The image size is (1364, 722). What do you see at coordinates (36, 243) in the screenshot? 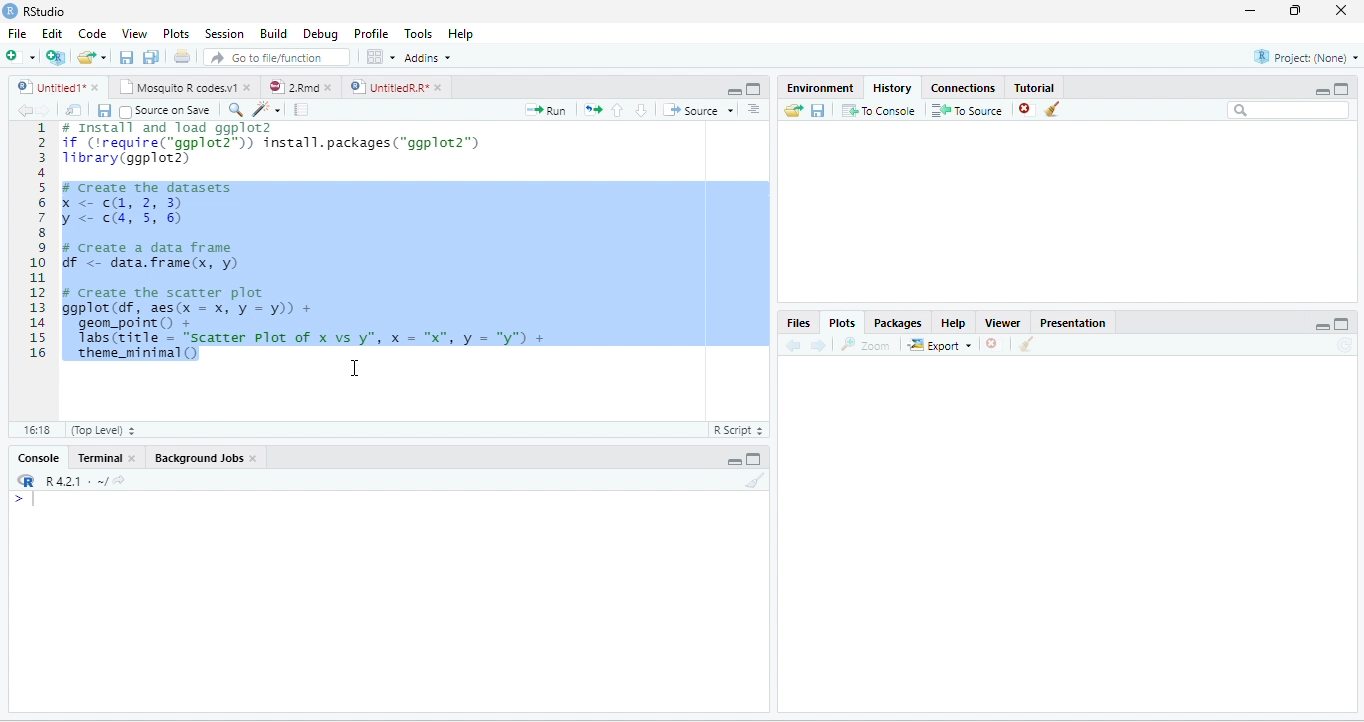
I see `Line numbers` at bounding box center [36, 243].